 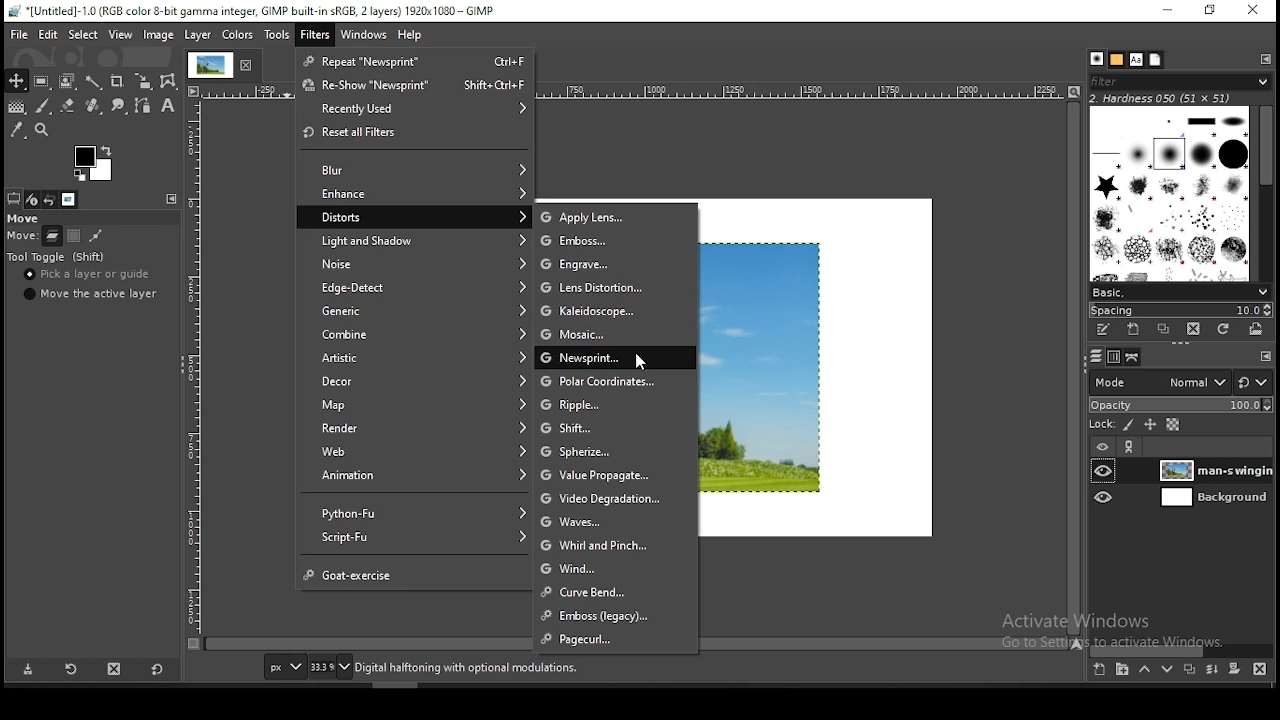 What do you see at coordinates (51, 235) in the screenshot?
I see `move layer` at bounding box center [51, 235].